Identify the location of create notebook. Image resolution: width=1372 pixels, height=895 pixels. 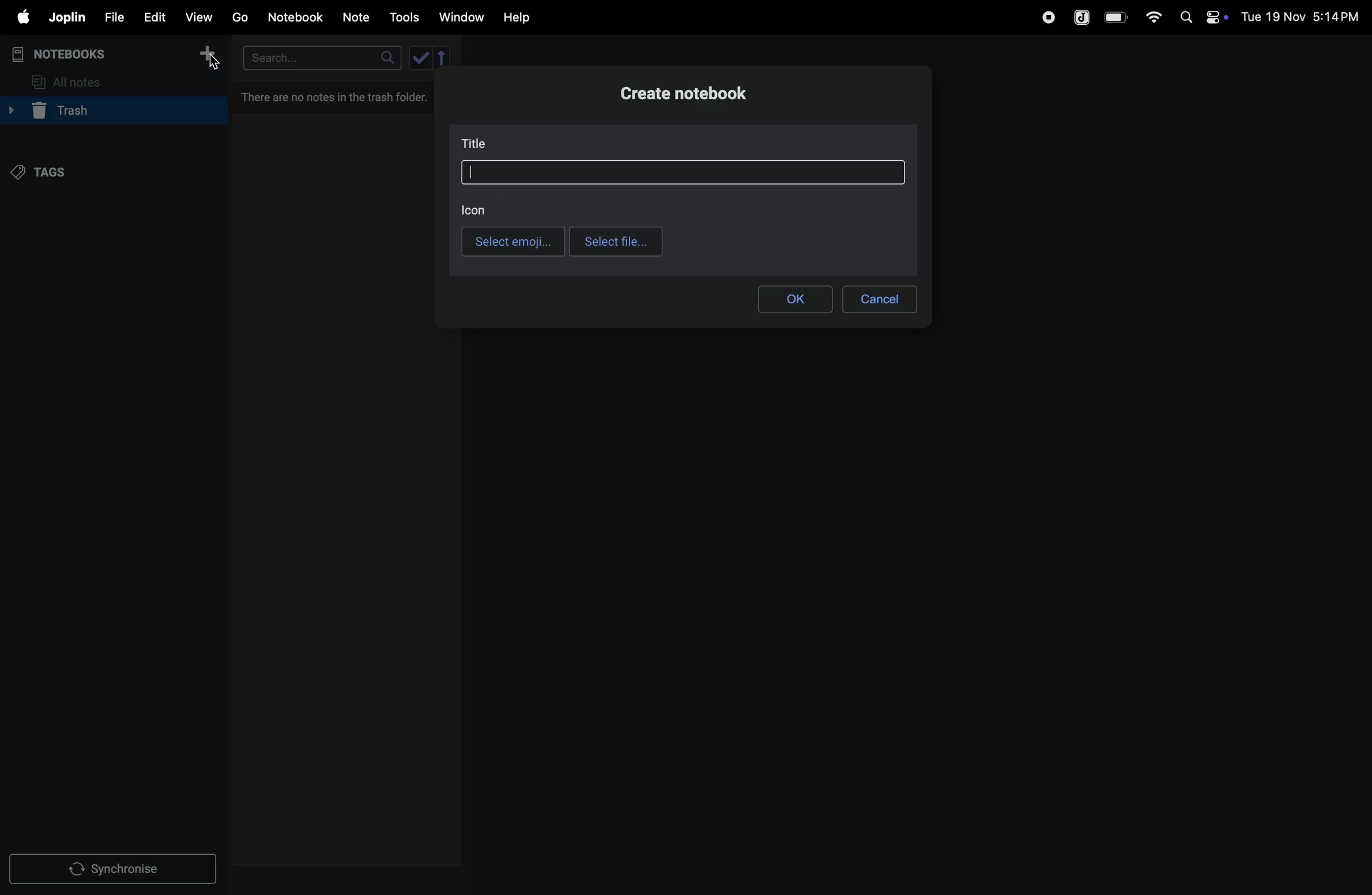
(685, 93).